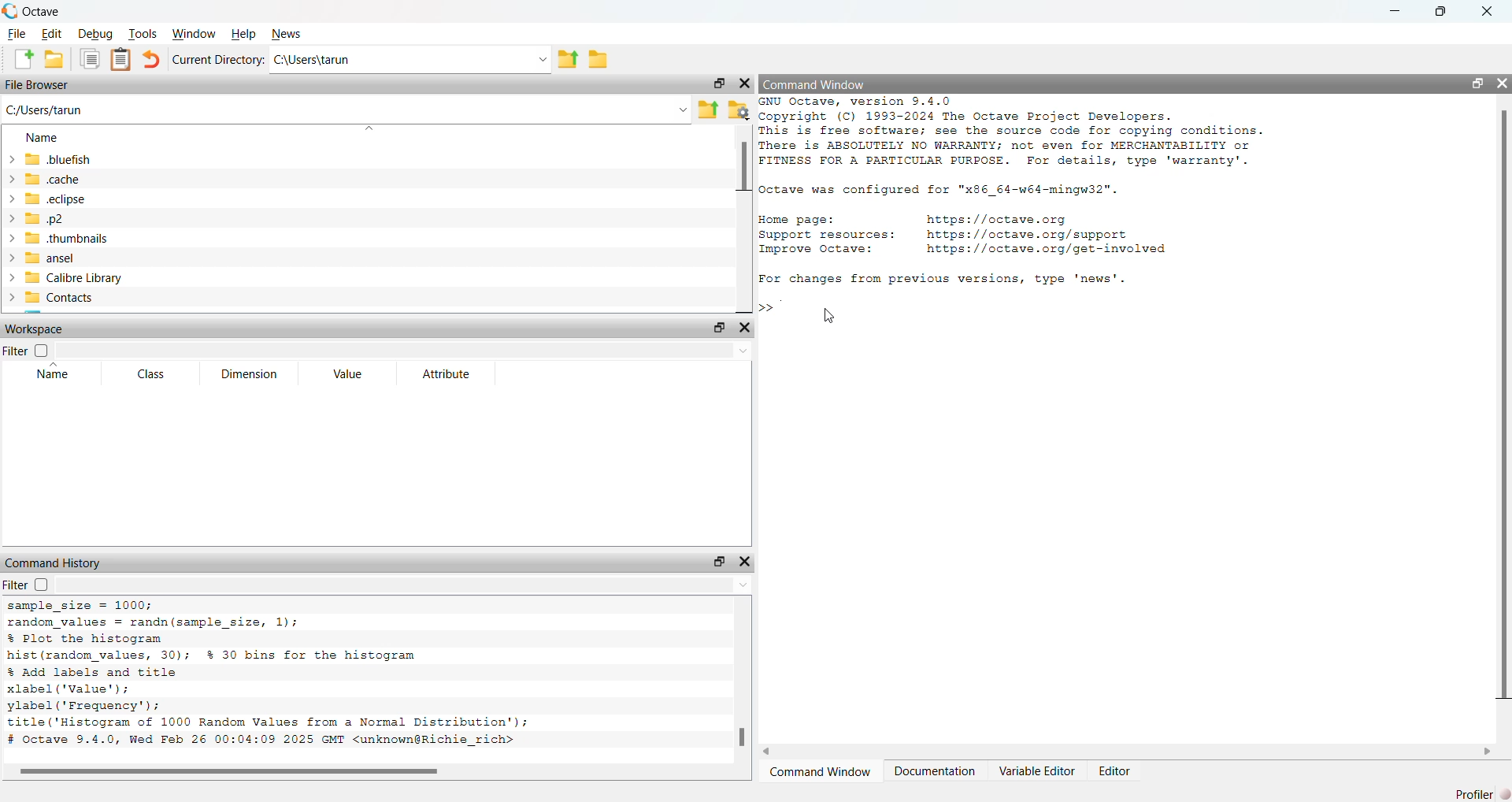 This screenshot has height=802, width=1512. I want to click on Octave was configured for "x86 64-w64-mingw32"., so click(939, 190).